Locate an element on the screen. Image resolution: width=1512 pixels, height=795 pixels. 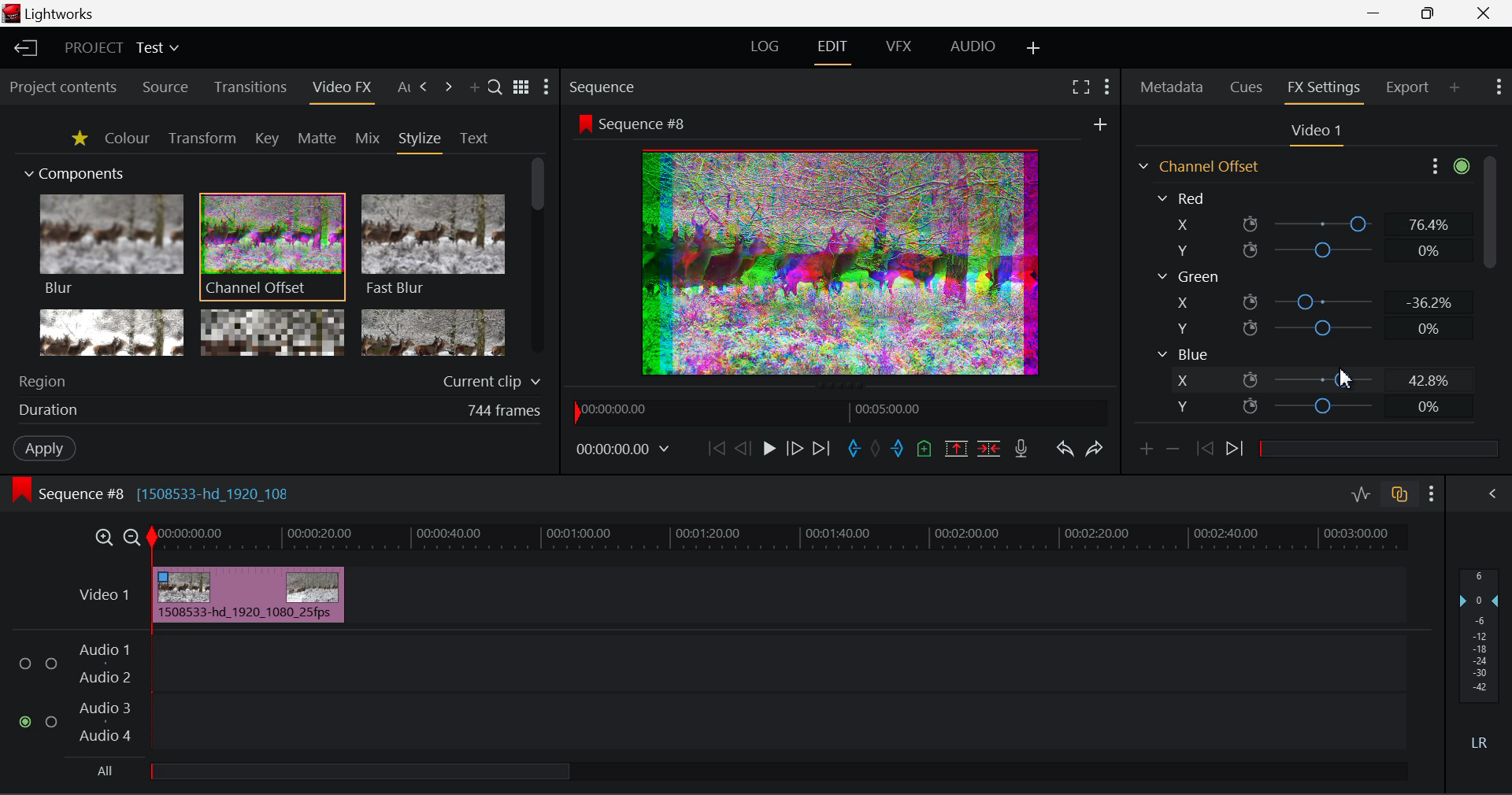
Undo is located at coordinates (1067, 451).